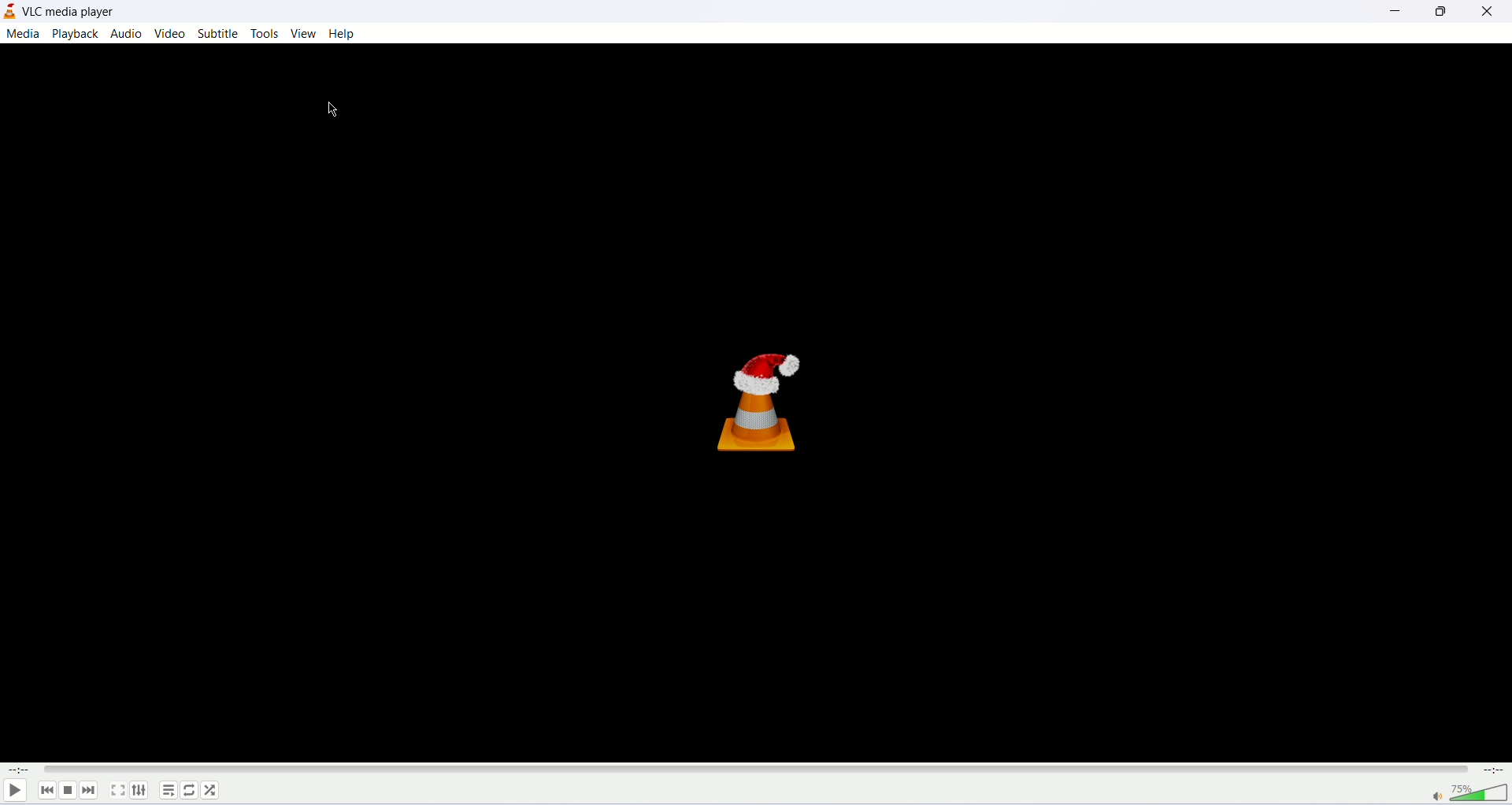  Describe the element at coordinates (190, 792) in the screenshot. I see `loop` at that location.